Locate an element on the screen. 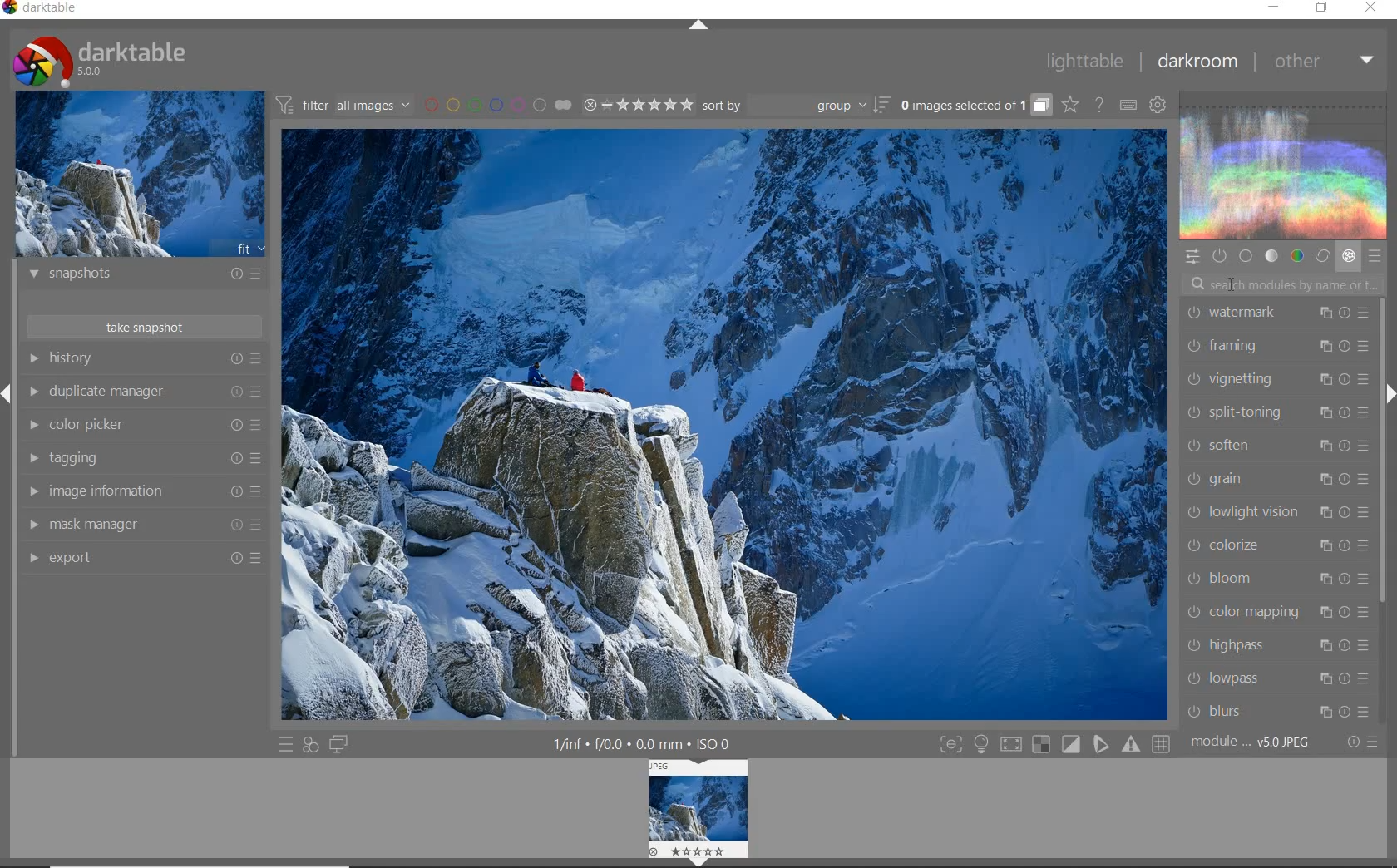  highpass is located at coordinates (1278, 647).